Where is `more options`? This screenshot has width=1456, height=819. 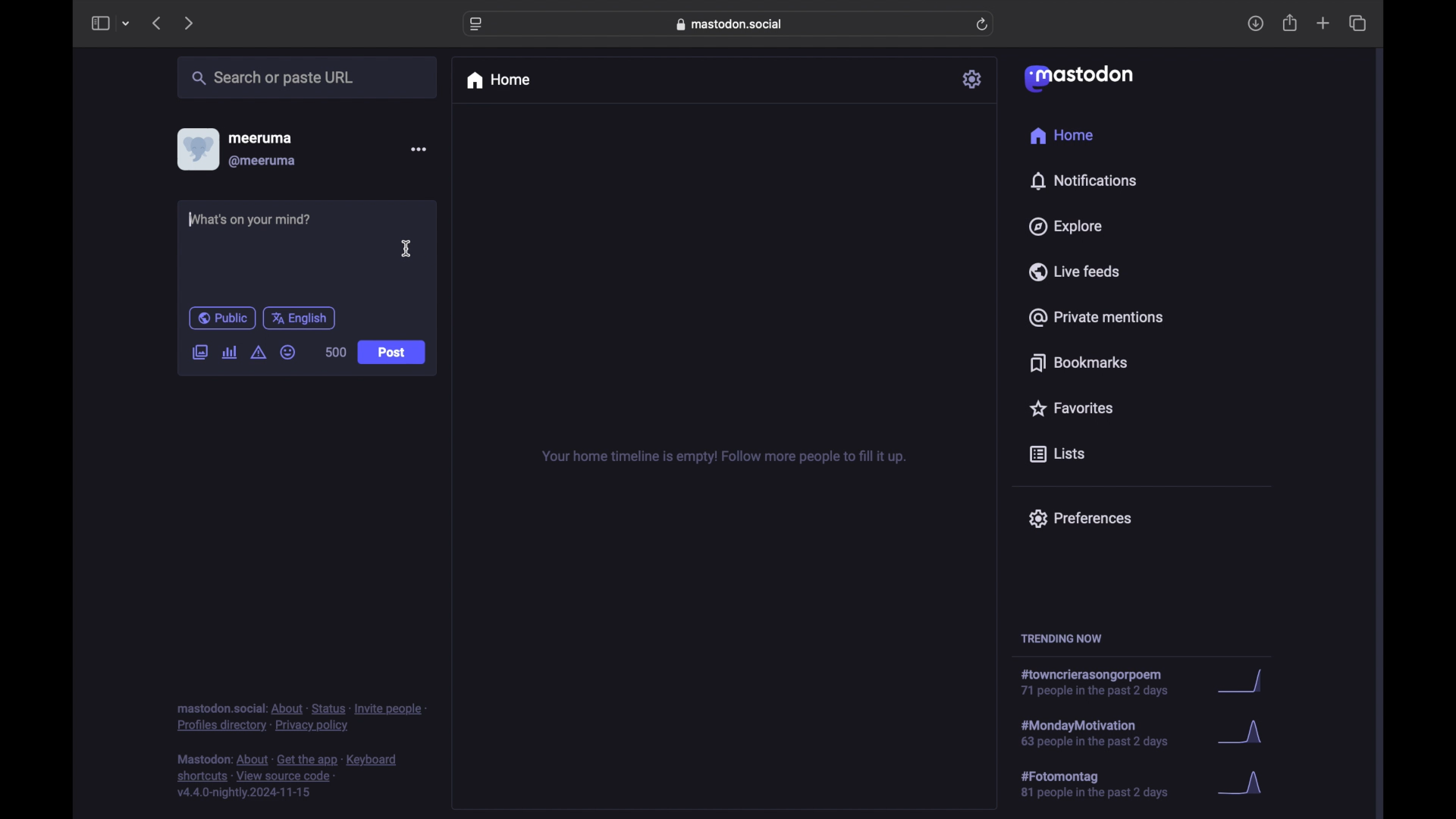 more options is located at coordinates (418, 149).